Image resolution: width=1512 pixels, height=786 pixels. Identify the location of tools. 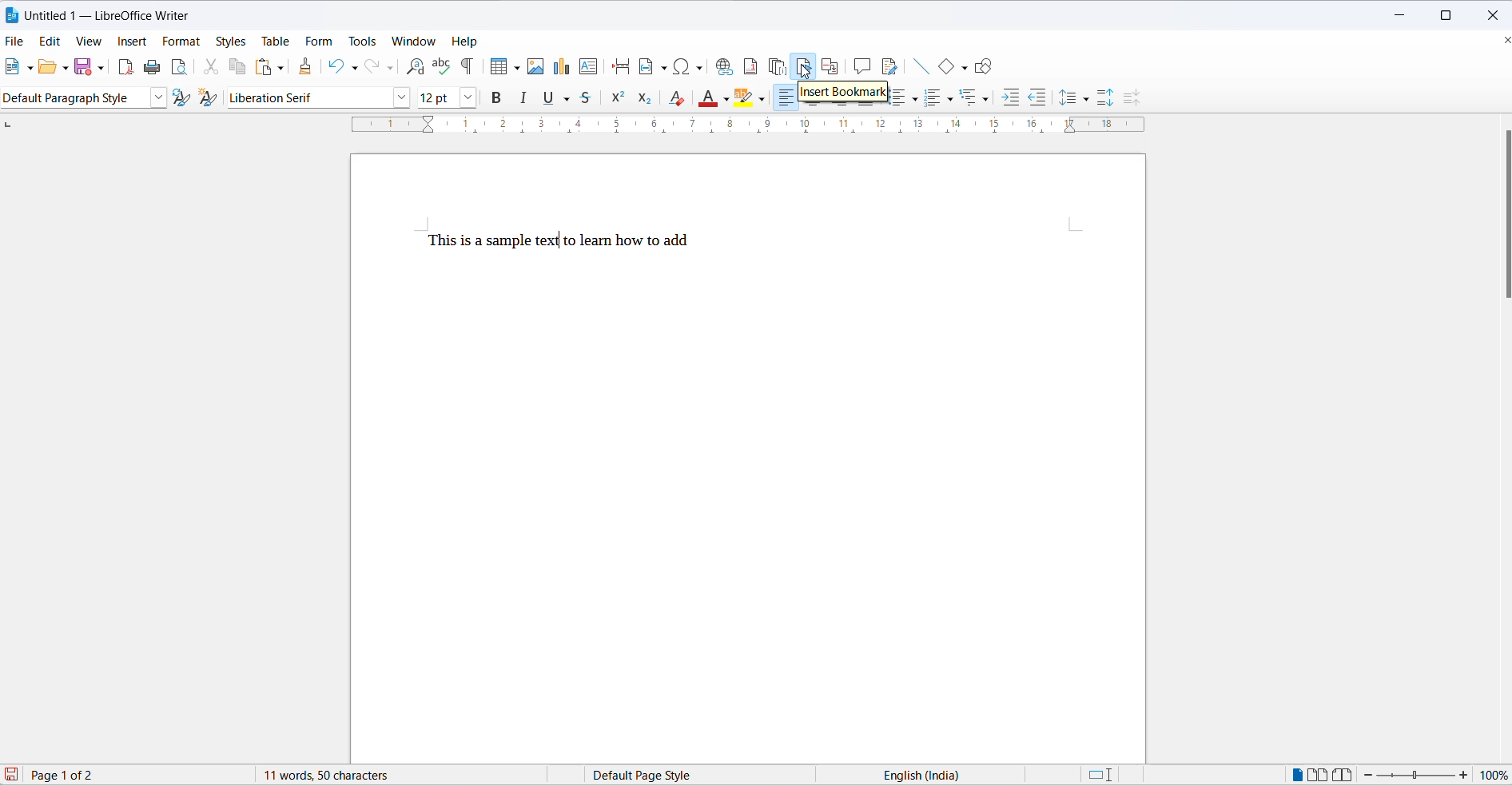
(364, 40).